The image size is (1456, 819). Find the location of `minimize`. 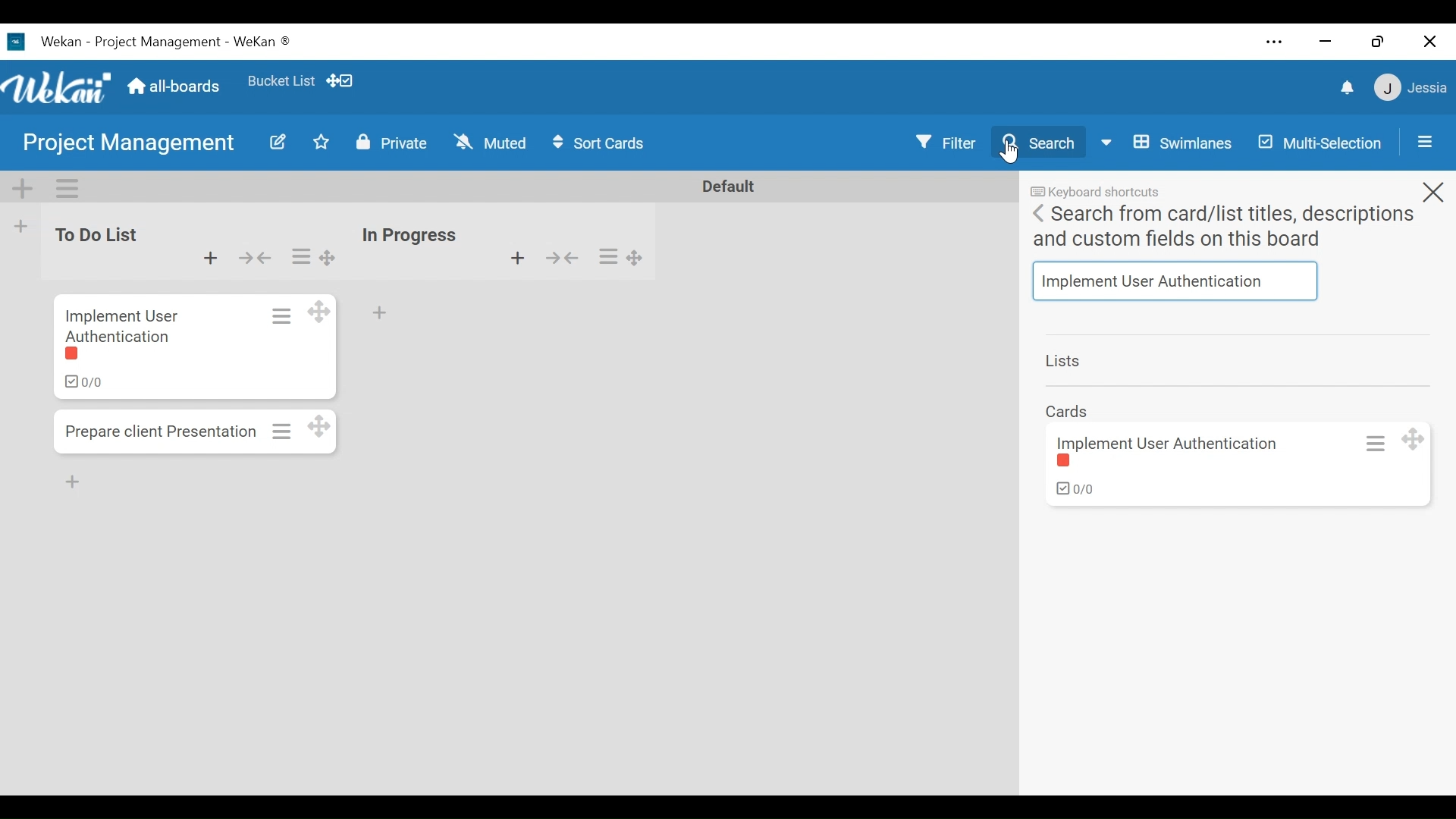

minimize is located at coordinates (1328, 42).